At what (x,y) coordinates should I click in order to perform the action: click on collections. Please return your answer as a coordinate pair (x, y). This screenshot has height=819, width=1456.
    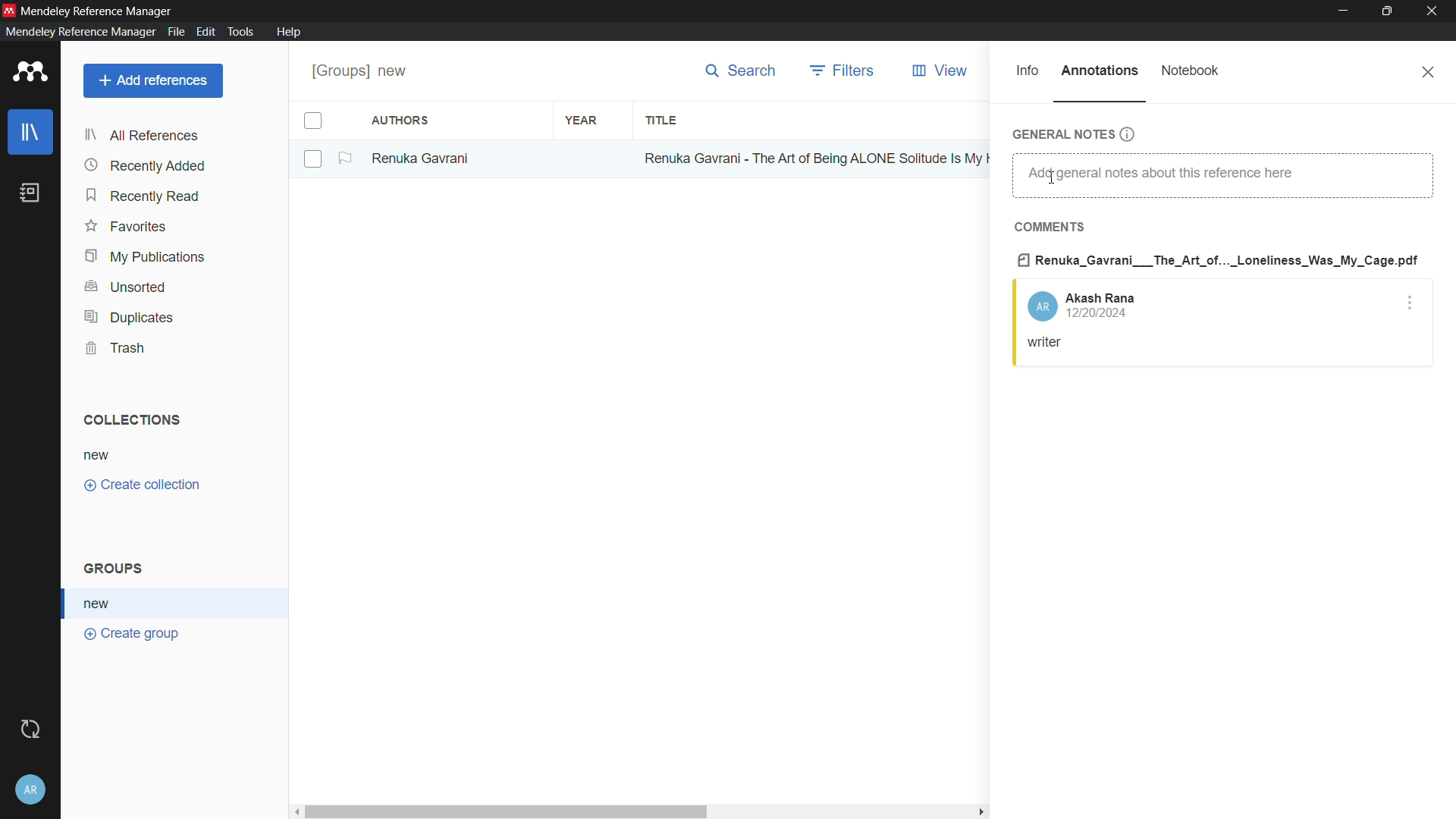
    Looking at the image, I should click on (133, 420).